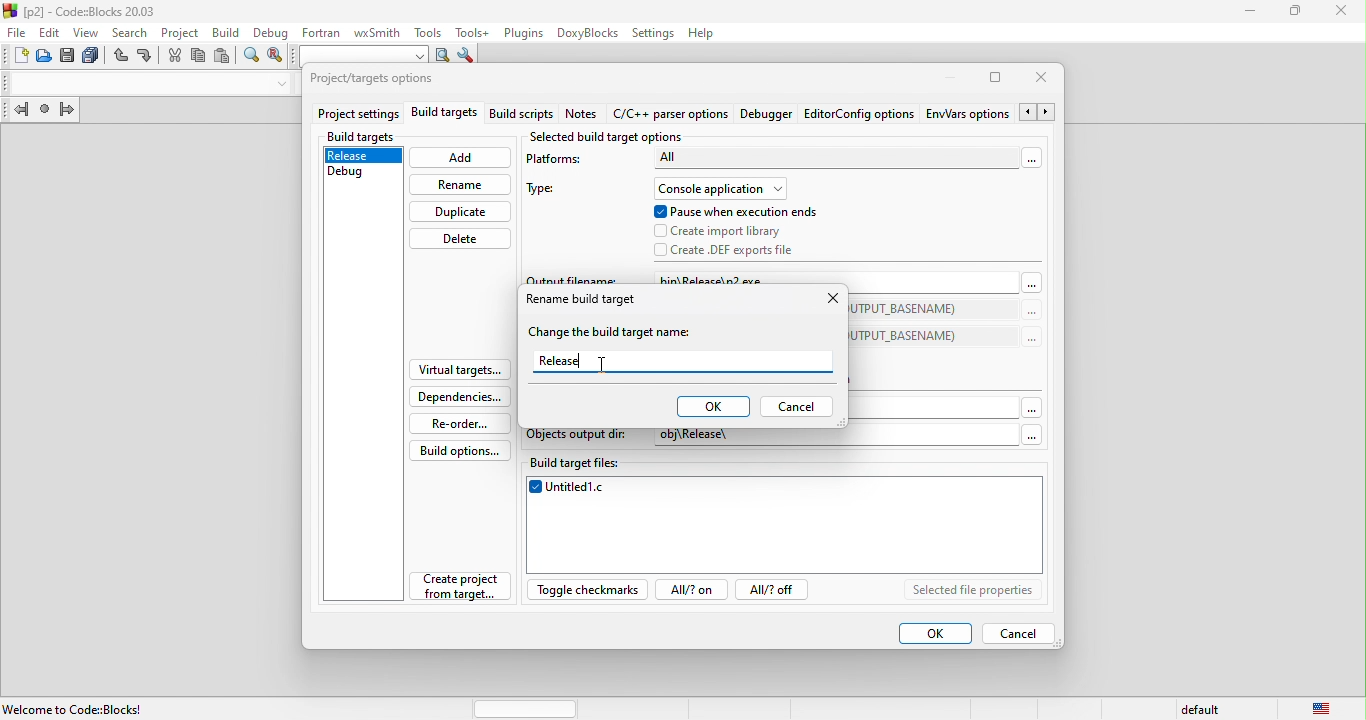  I want to click on more, so click(1030, 338).